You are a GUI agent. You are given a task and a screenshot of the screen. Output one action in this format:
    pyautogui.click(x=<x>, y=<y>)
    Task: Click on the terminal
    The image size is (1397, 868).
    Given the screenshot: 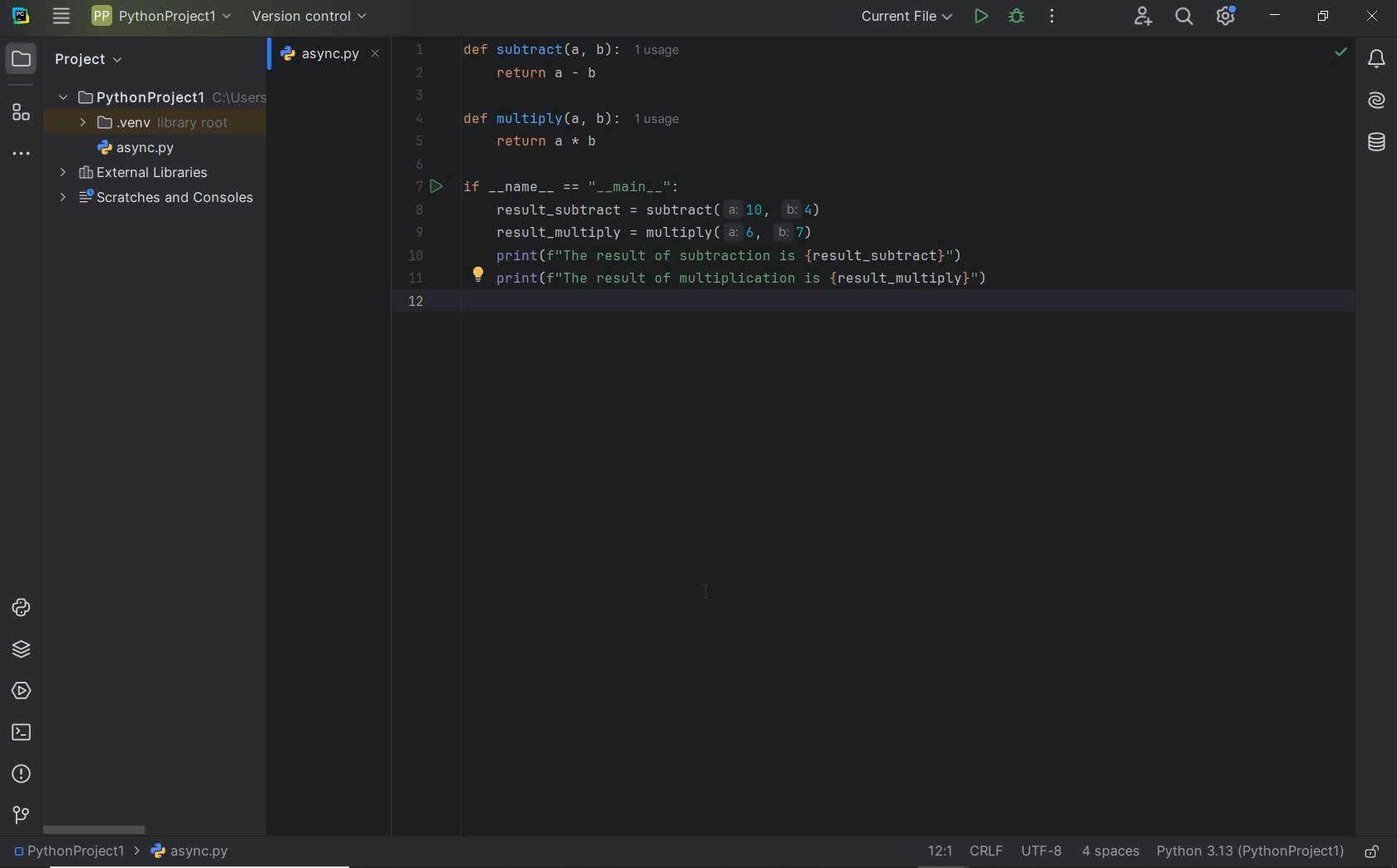 What is the action you would take?
    pyautogui.click(x=20, y=733)
    